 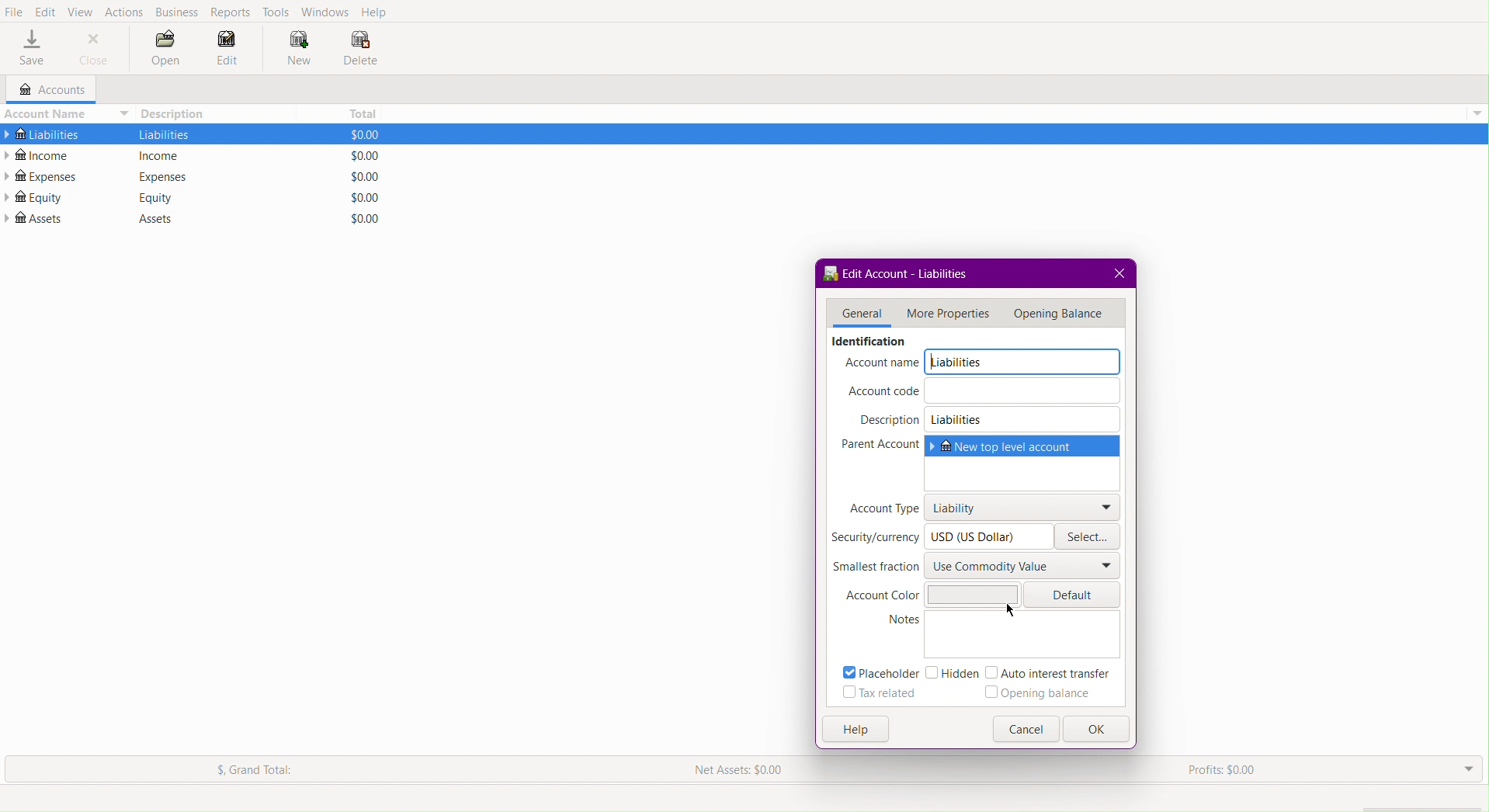 What do you see at coordinates (1095, 730) in the screenshot?
I see `OK` at bounding box center [1095, 730].